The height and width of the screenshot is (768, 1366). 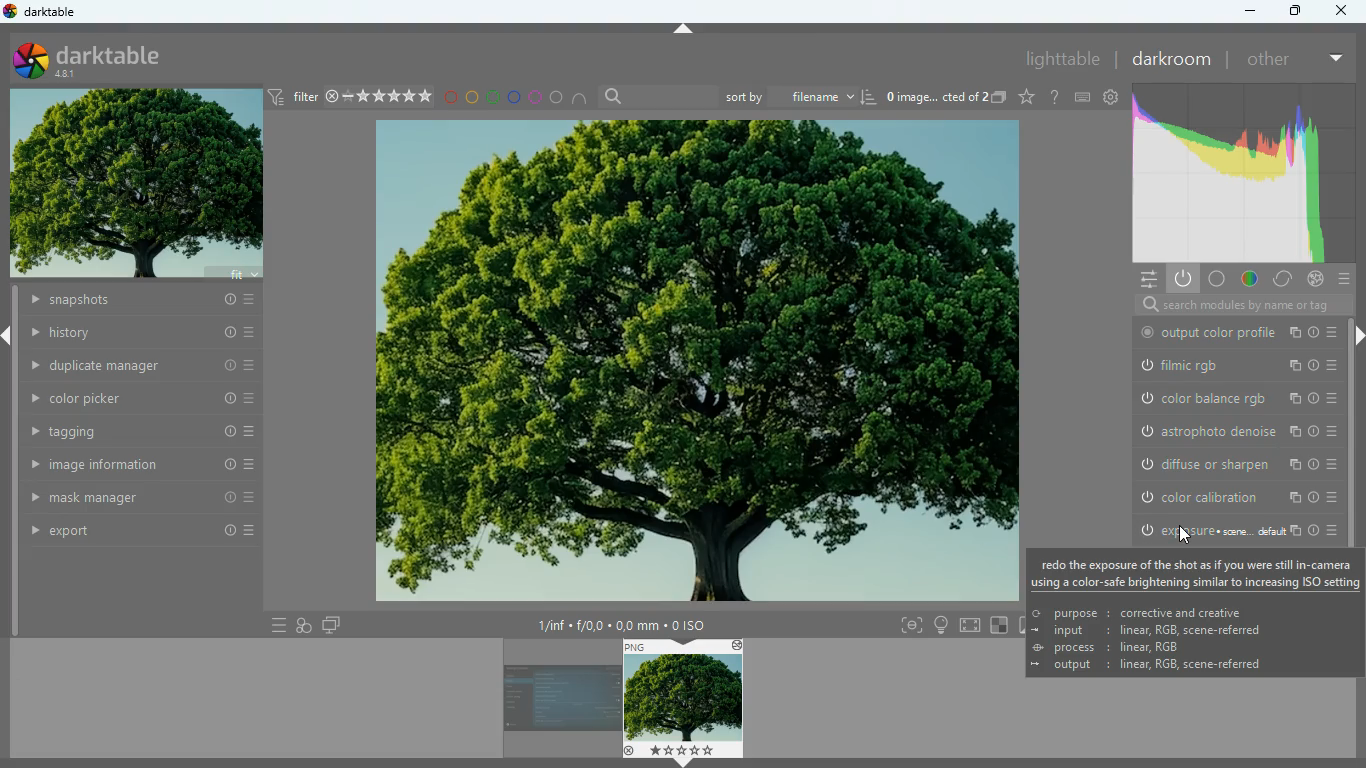 What do you see at coordinates (1233, 398) in the screenshot?
I see `color balance rgb` at bounding box center [1233, 398].